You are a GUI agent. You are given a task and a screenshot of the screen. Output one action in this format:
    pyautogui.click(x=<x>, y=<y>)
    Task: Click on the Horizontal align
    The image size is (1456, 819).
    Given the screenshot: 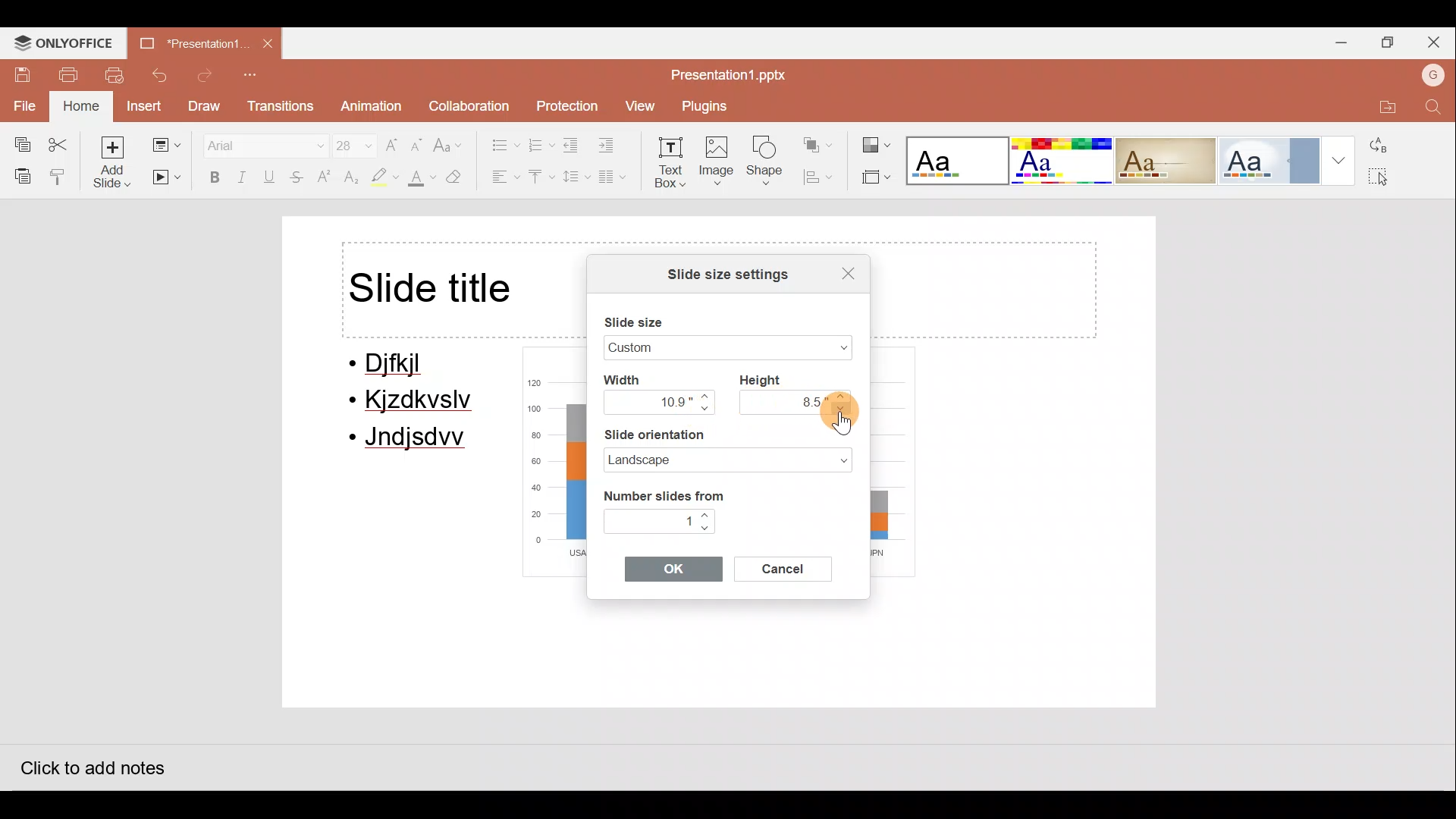 What is the action you would take?
    pyautogui.click(x=501, y=178)
    